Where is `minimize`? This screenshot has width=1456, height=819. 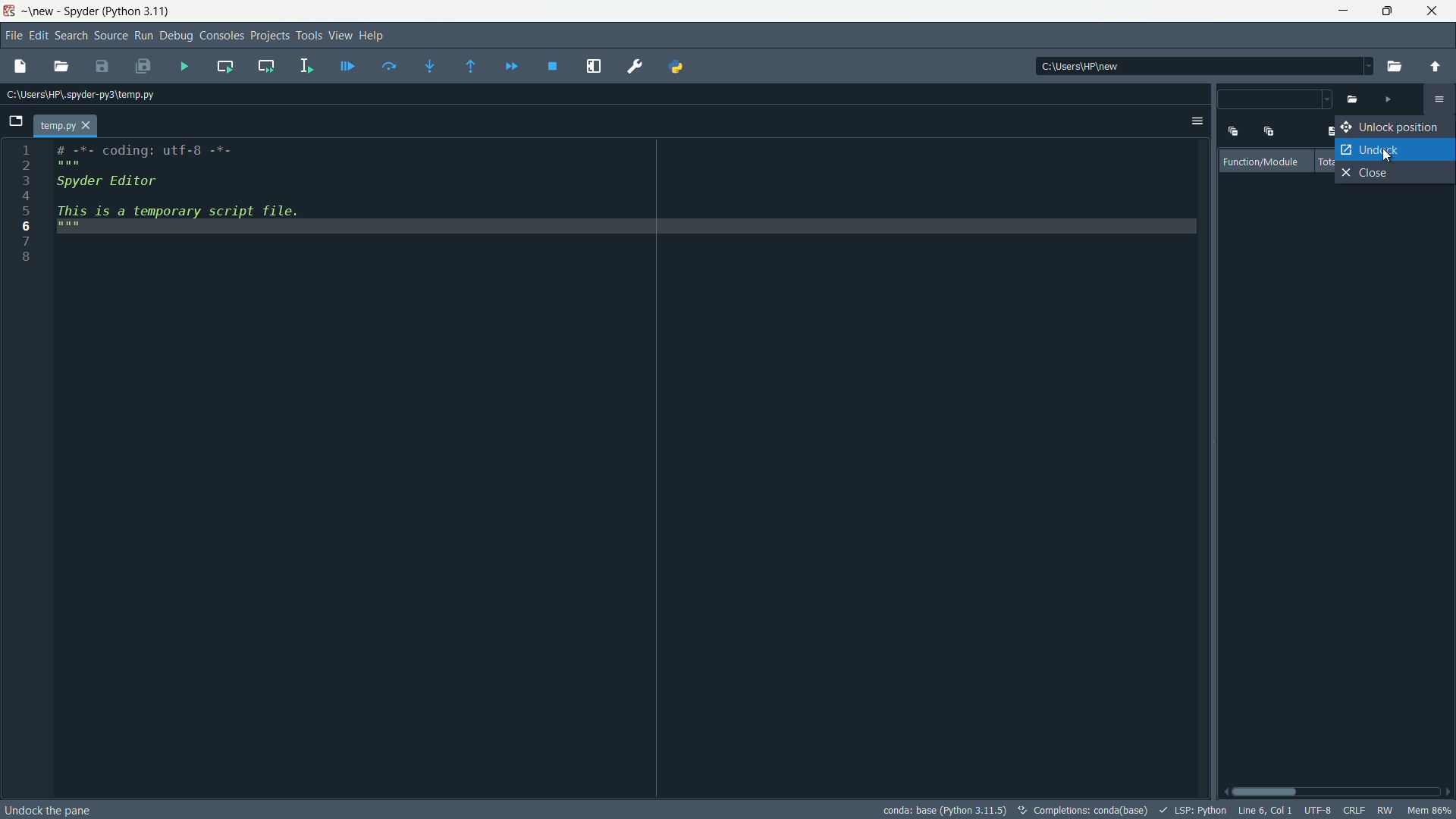 minimize is located at coordinates (1344, 11).